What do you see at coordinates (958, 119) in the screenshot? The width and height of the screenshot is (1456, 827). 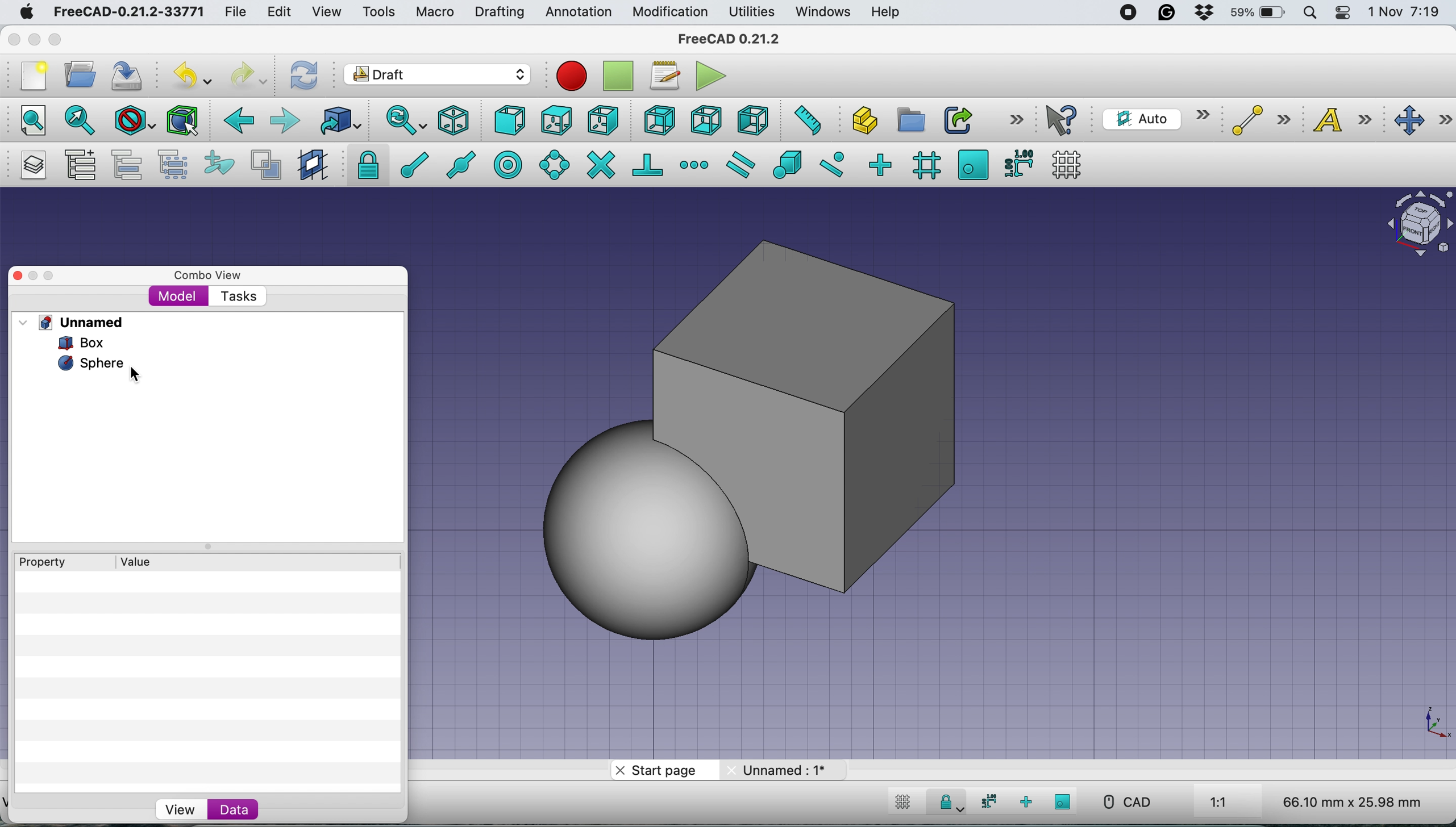 I see `make link` at bounding box center [958, 119].